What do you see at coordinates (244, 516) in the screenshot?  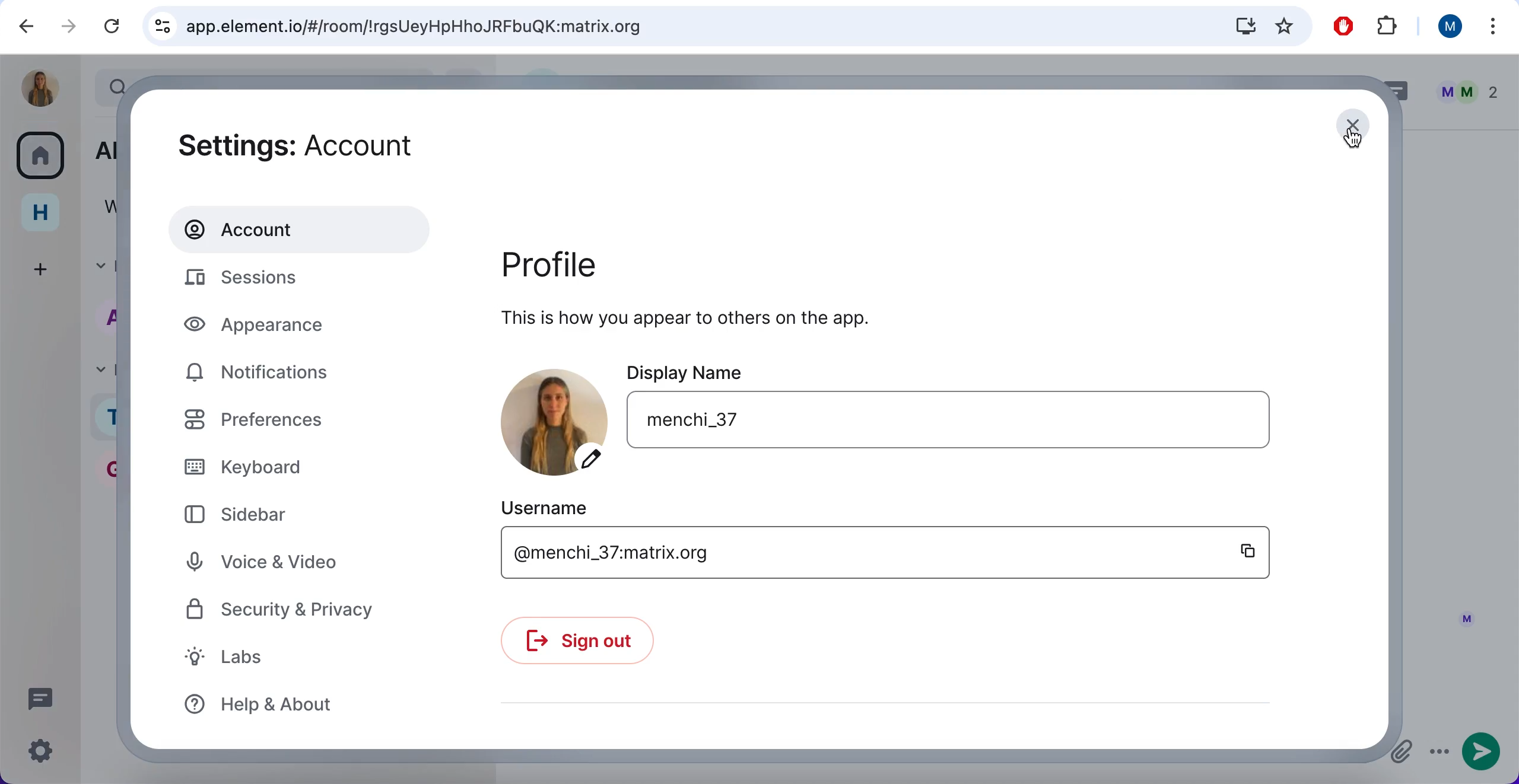 I see `sidebar` at bounding box center [244, 516].